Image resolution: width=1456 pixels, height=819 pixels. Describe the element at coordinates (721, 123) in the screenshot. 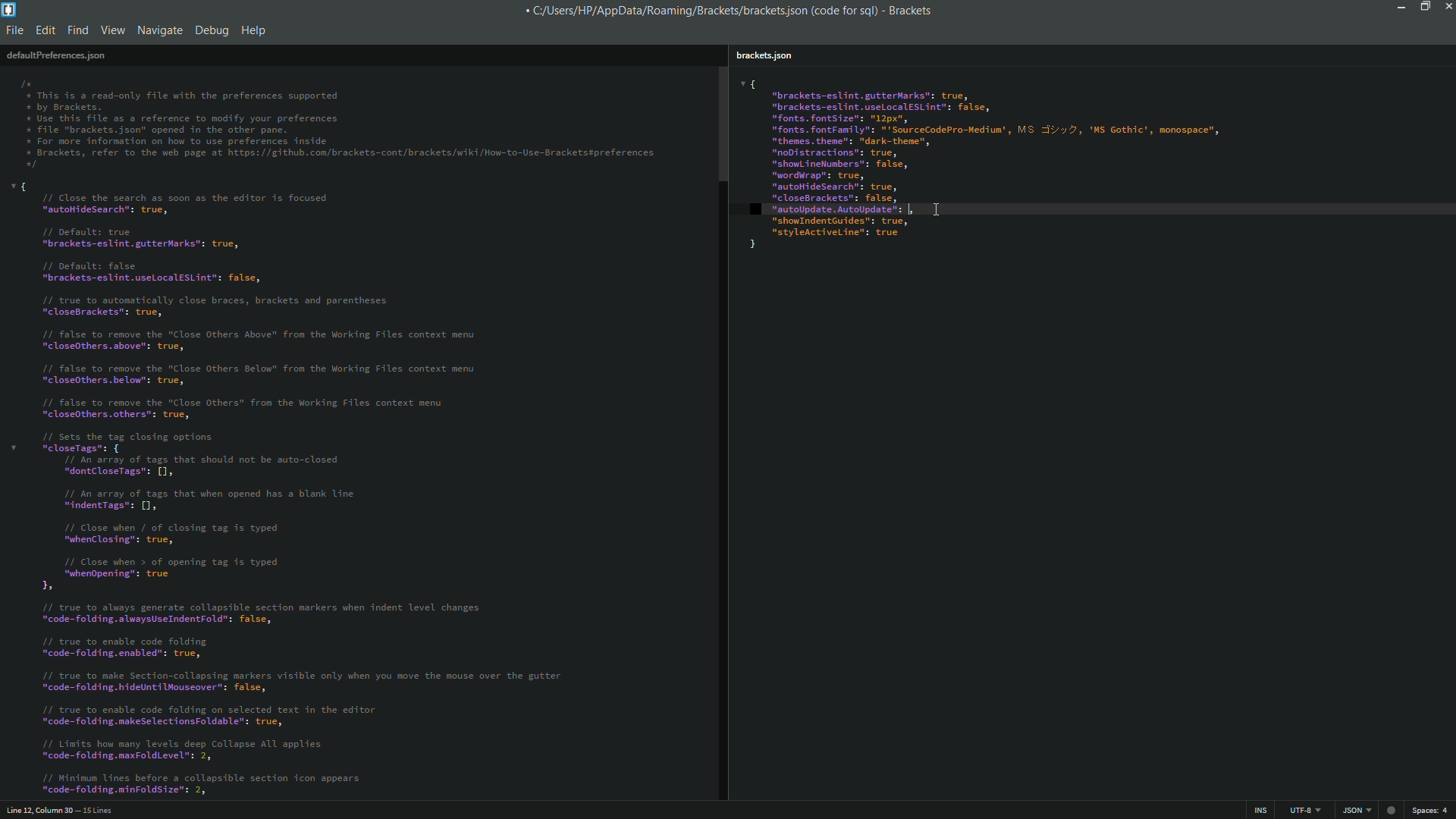

I see `scrollbar` at that location.